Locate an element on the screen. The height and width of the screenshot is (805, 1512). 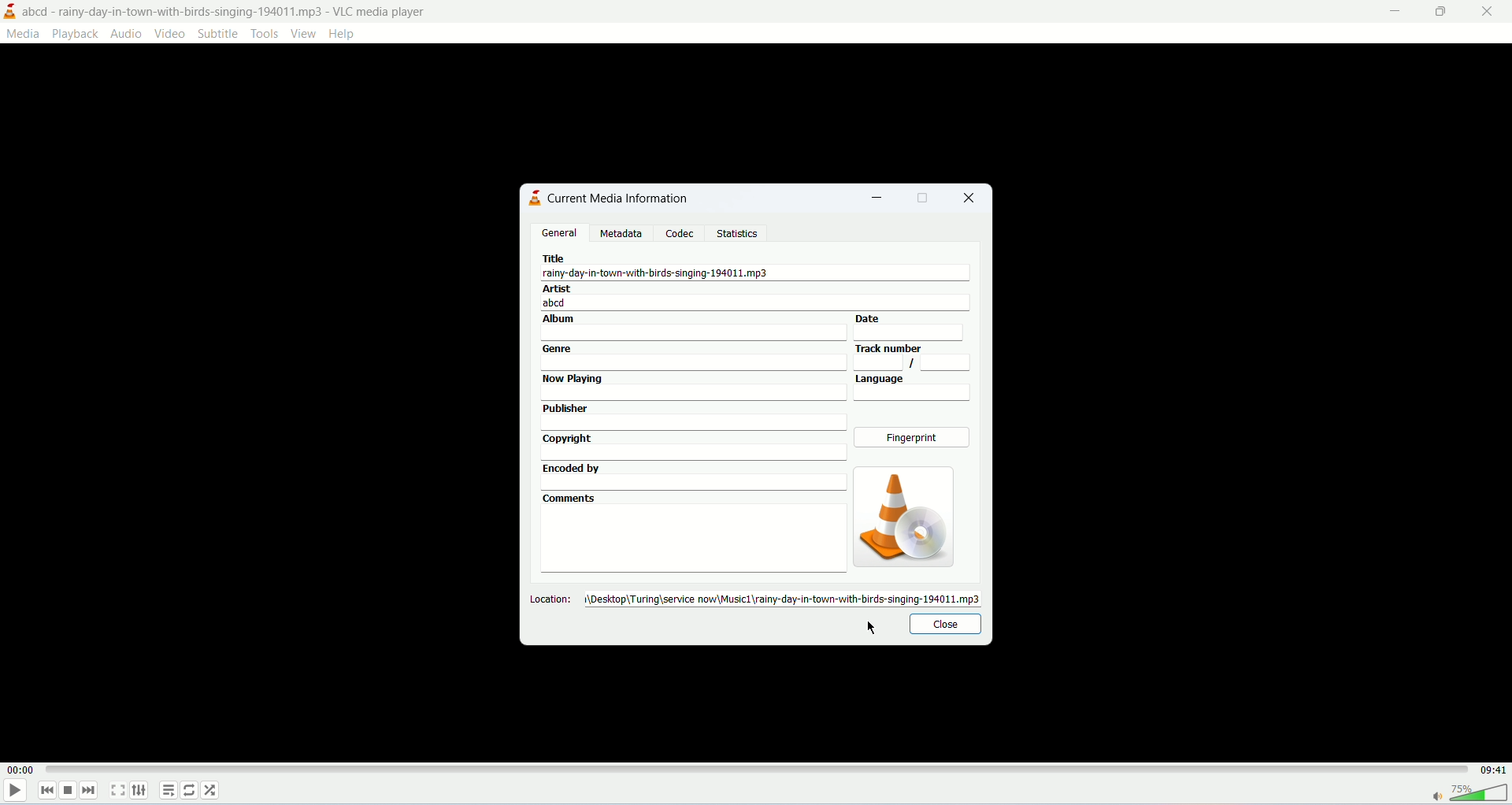
playlist is located at coordinates (169, 790).